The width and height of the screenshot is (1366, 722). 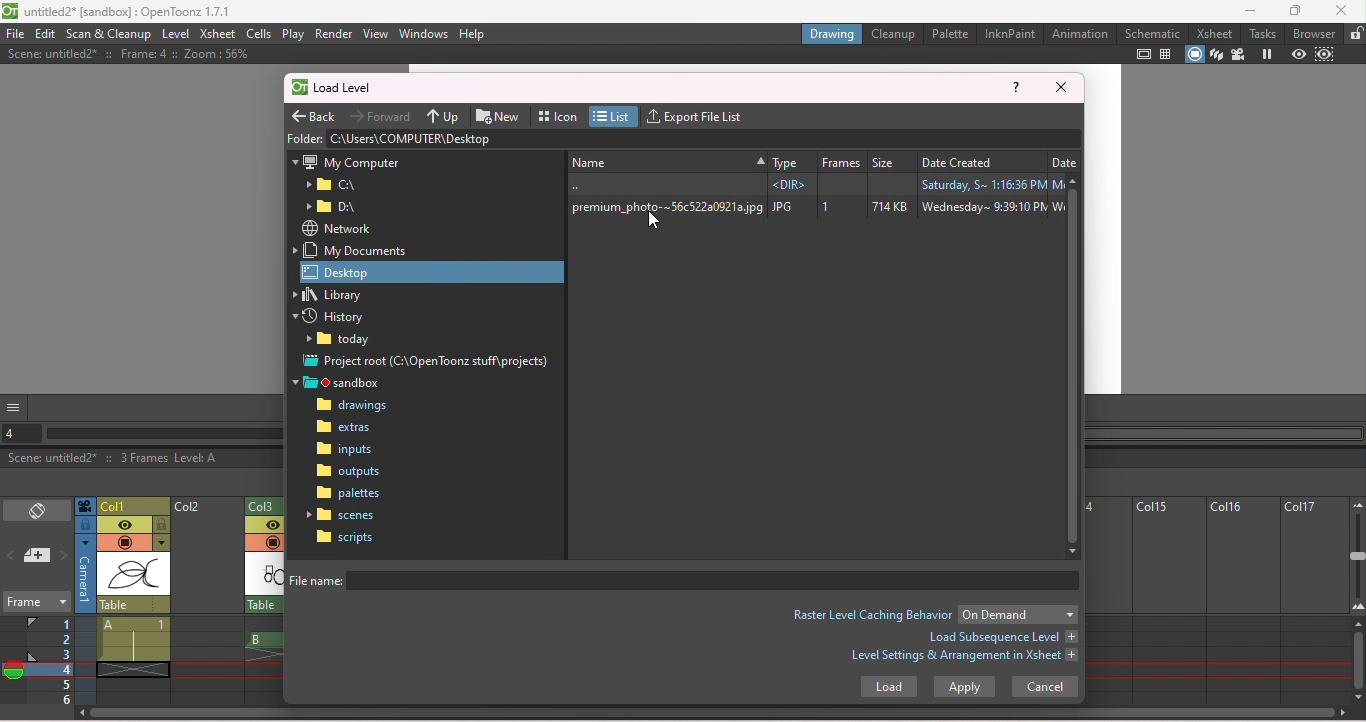 I want to click on Safe area, so click(x=1144, y=54).